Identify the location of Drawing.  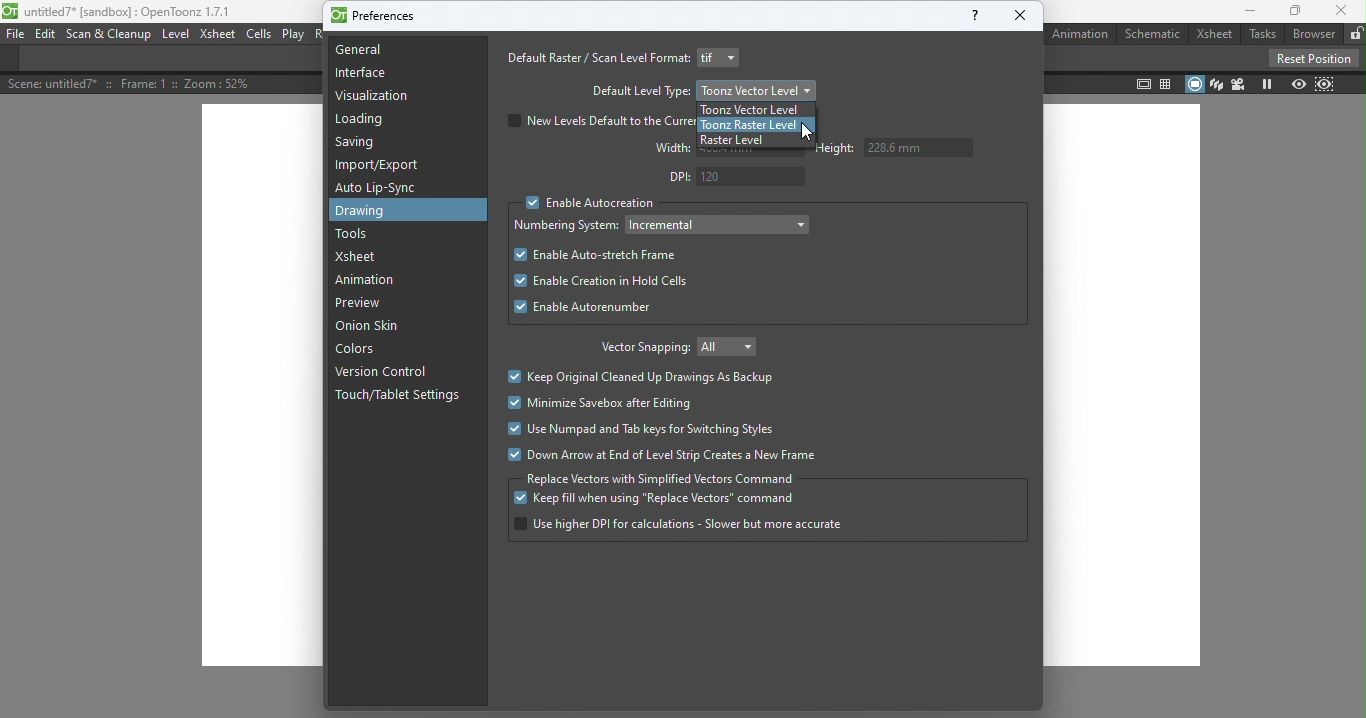
(386, 212).